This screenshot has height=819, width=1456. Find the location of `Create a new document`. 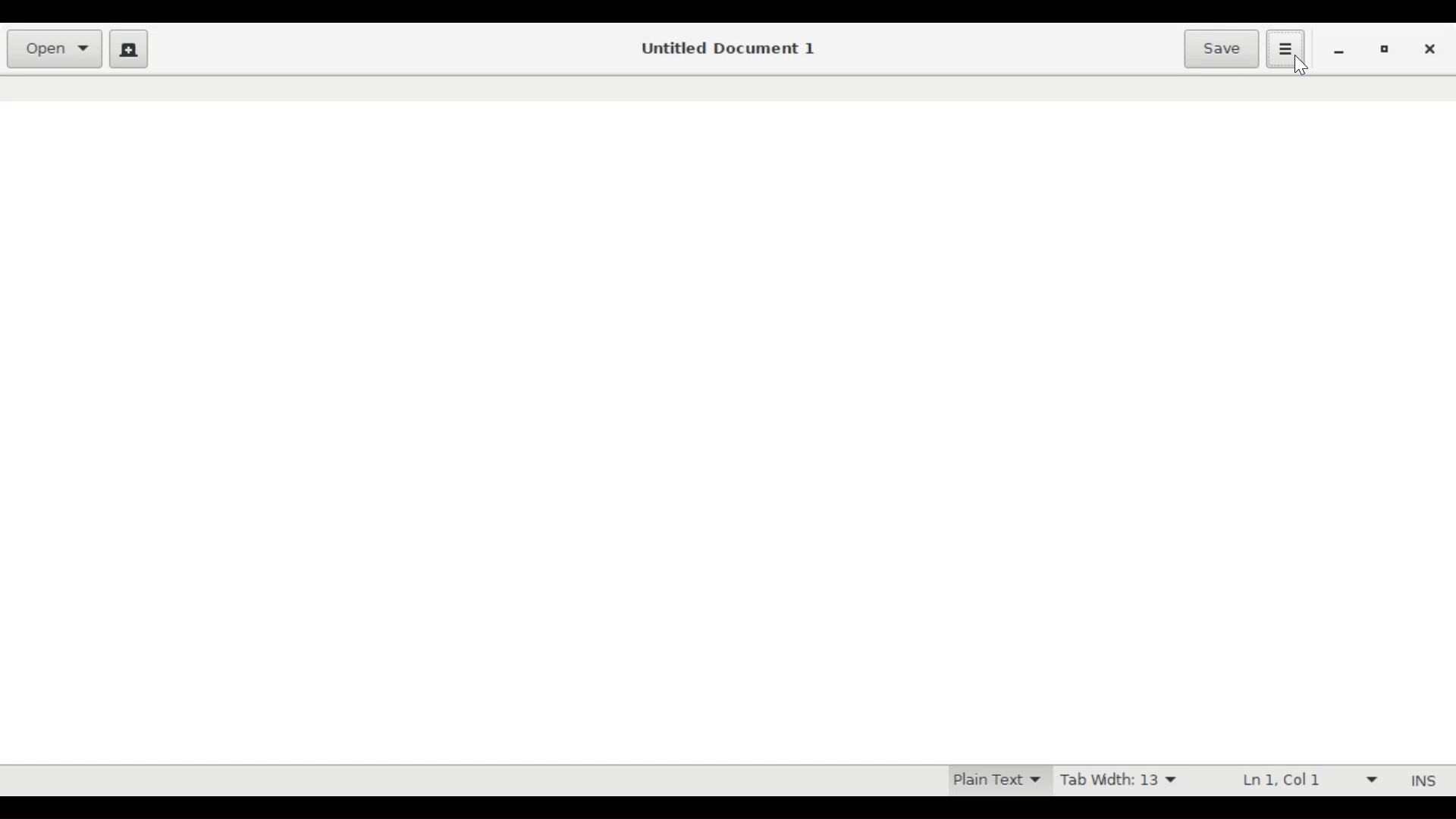

Create a new document is located at coordinates (130, 49).